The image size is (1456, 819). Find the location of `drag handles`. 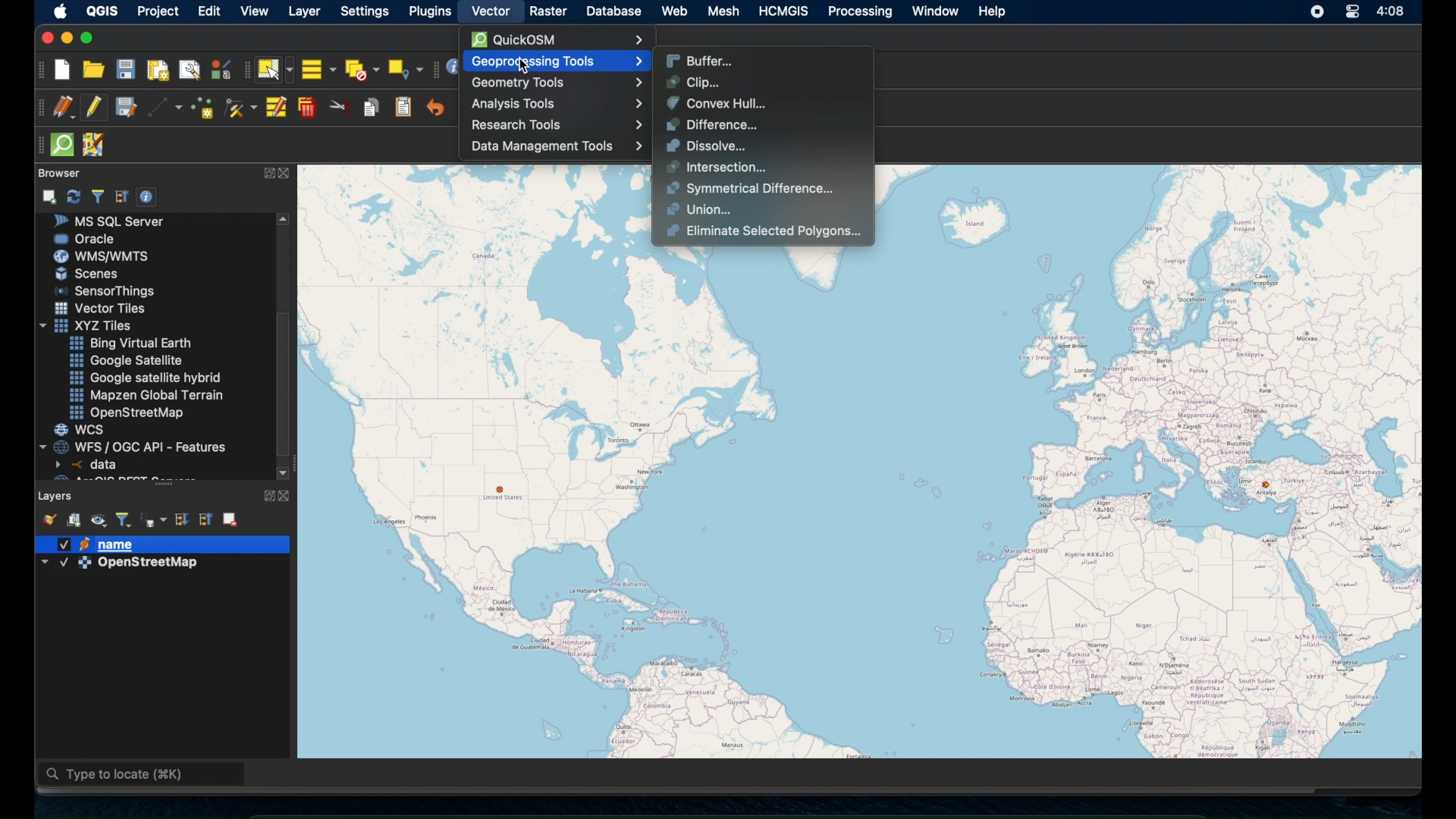

drag handles is located at coordinates (37, 143).